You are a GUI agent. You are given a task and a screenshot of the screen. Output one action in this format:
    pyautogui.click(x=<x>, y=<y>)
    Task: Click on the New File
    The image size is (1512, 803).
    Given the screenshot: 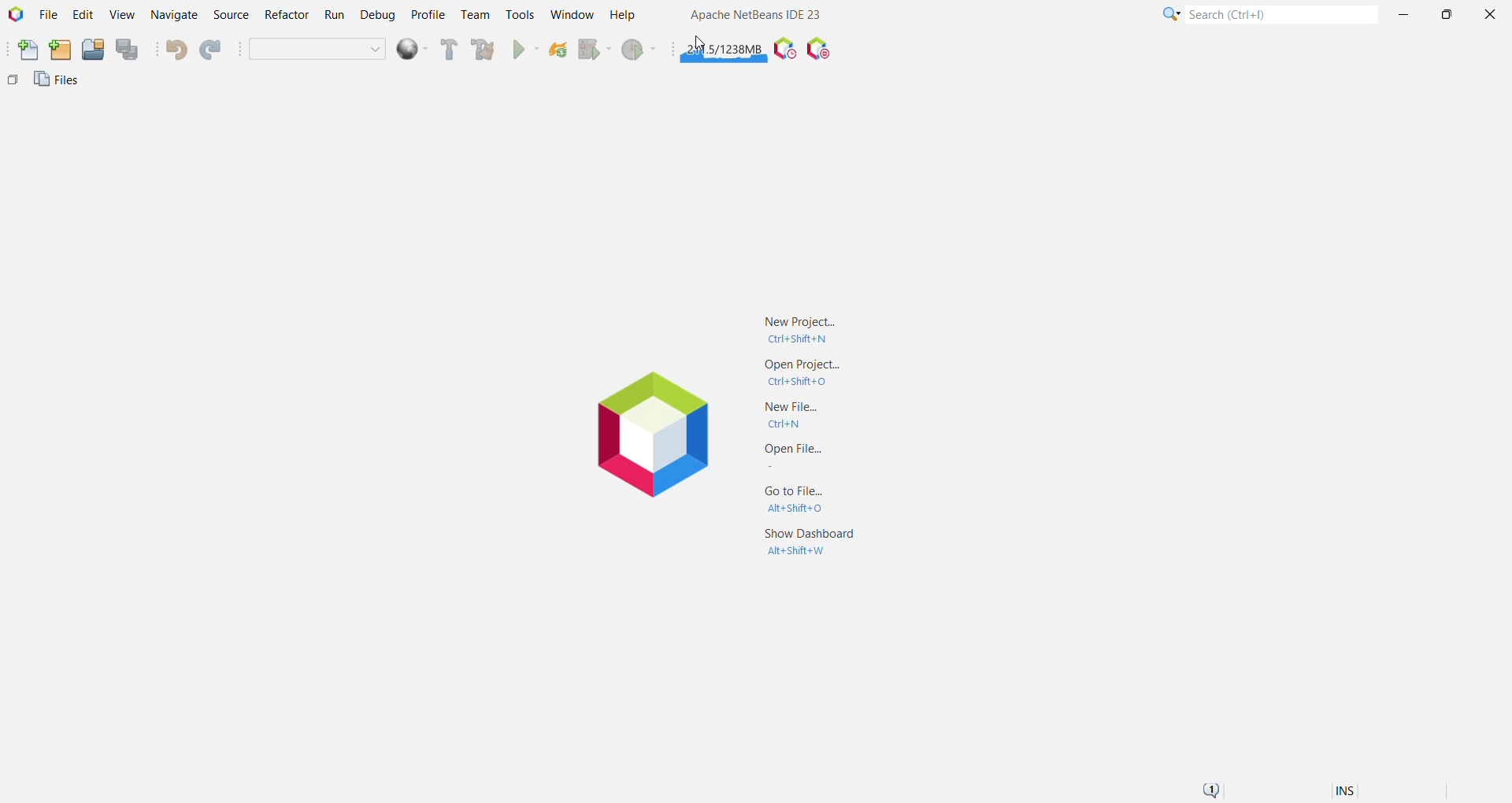 What is the action you would take?
    pyautogui.click(x=24, y=51)
    